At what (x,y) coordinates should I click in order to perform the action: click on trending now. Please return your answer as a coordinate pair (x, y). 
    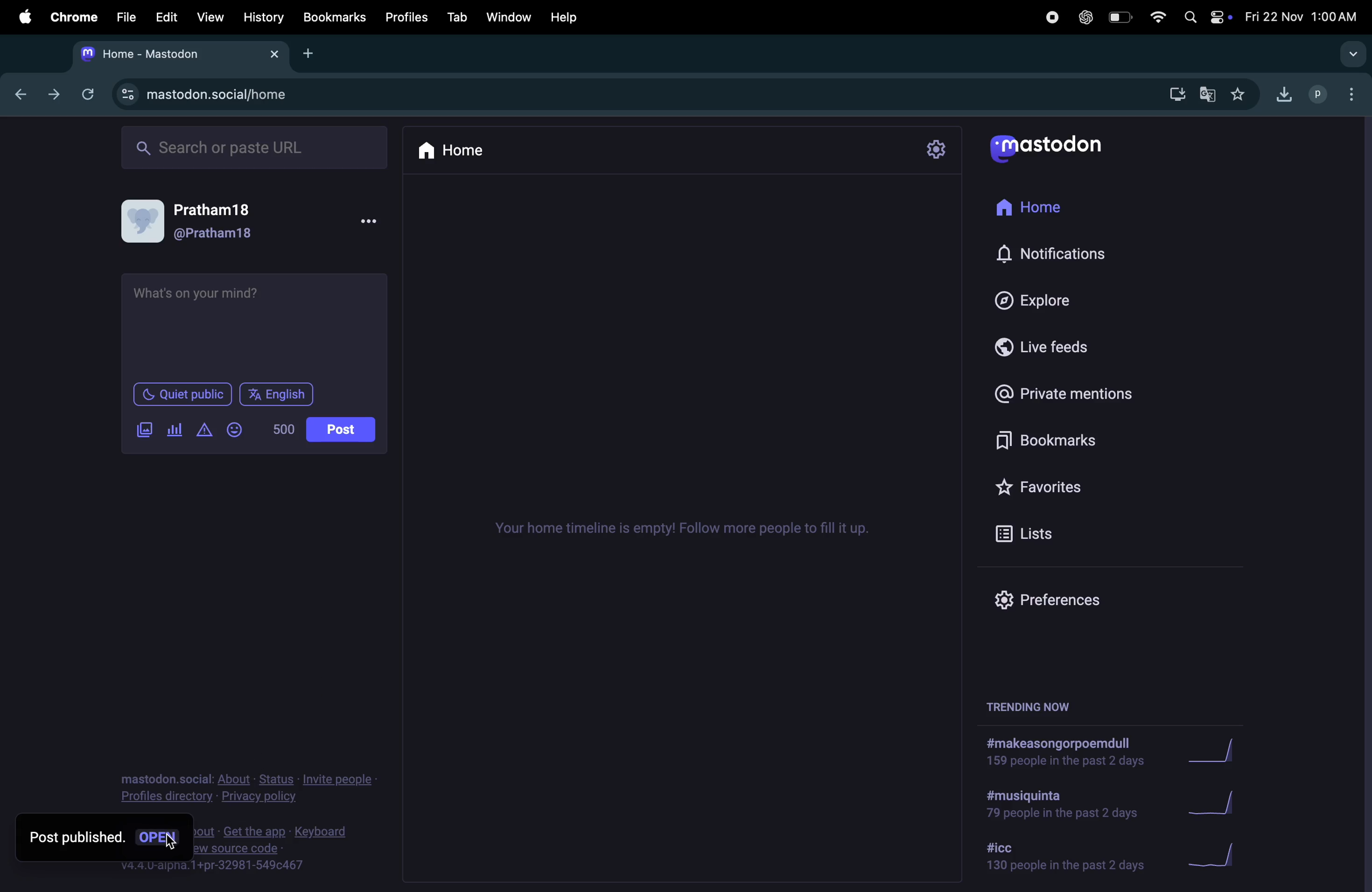
    Looking at the image, I should click on (1028, 709).